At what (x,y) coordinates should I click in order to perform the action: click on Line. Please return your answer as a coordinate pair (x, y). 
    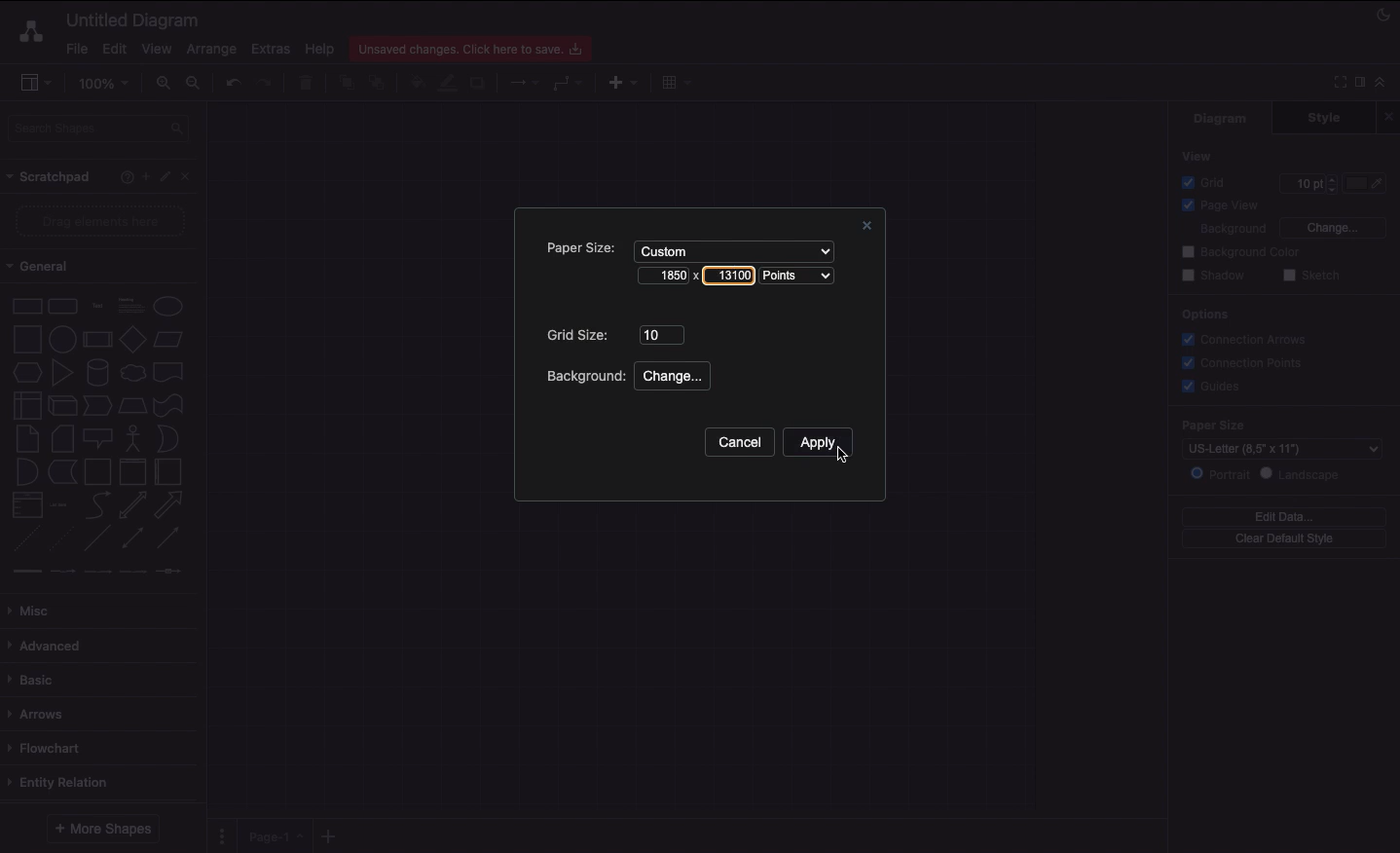
    Looking at the image, I should click on (97, 539).